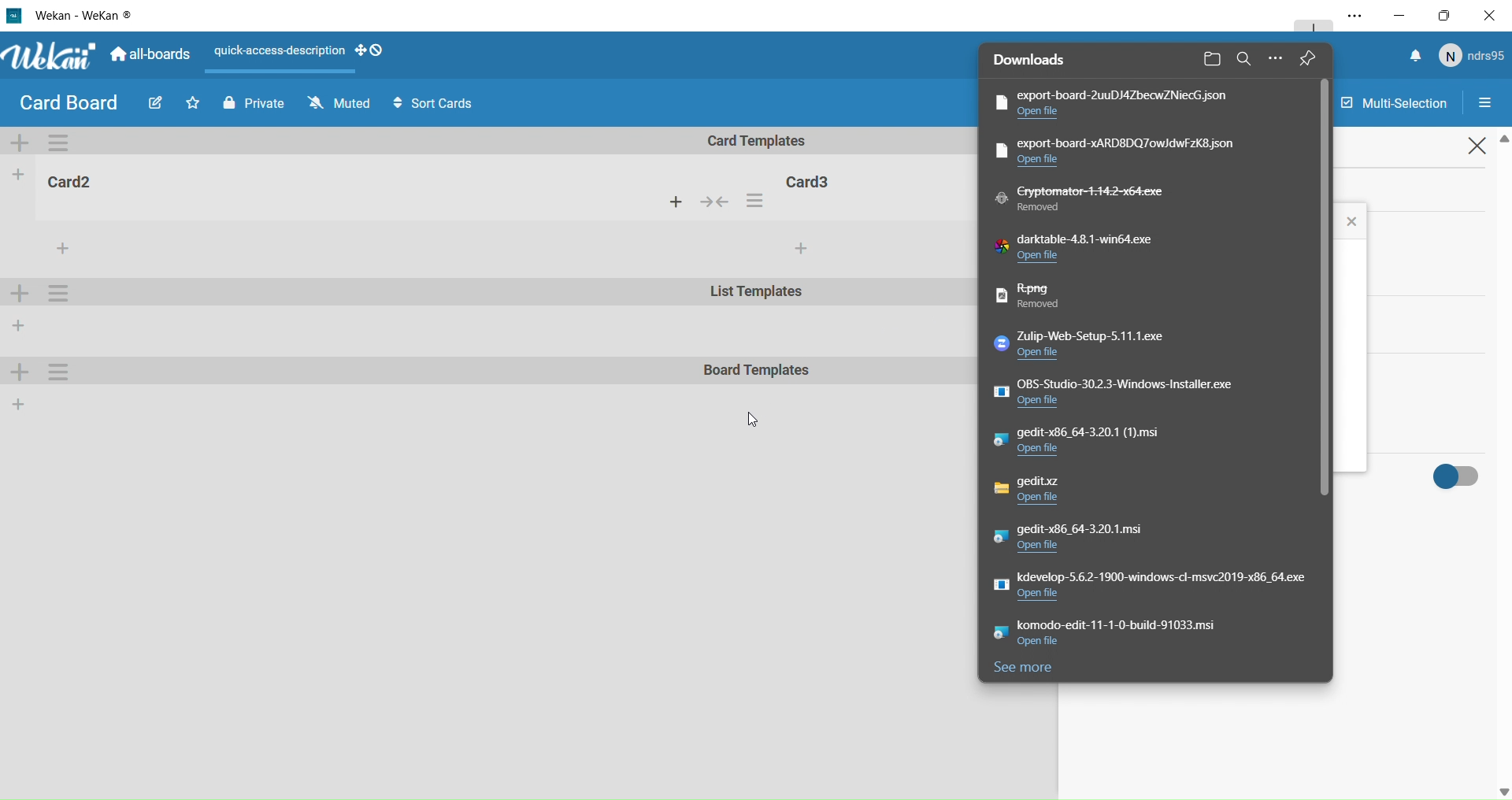 This screenshot has height=800, width=1512. Describe the element at coordinates (1480, 149) in the screenshot. I see `close` at that location.